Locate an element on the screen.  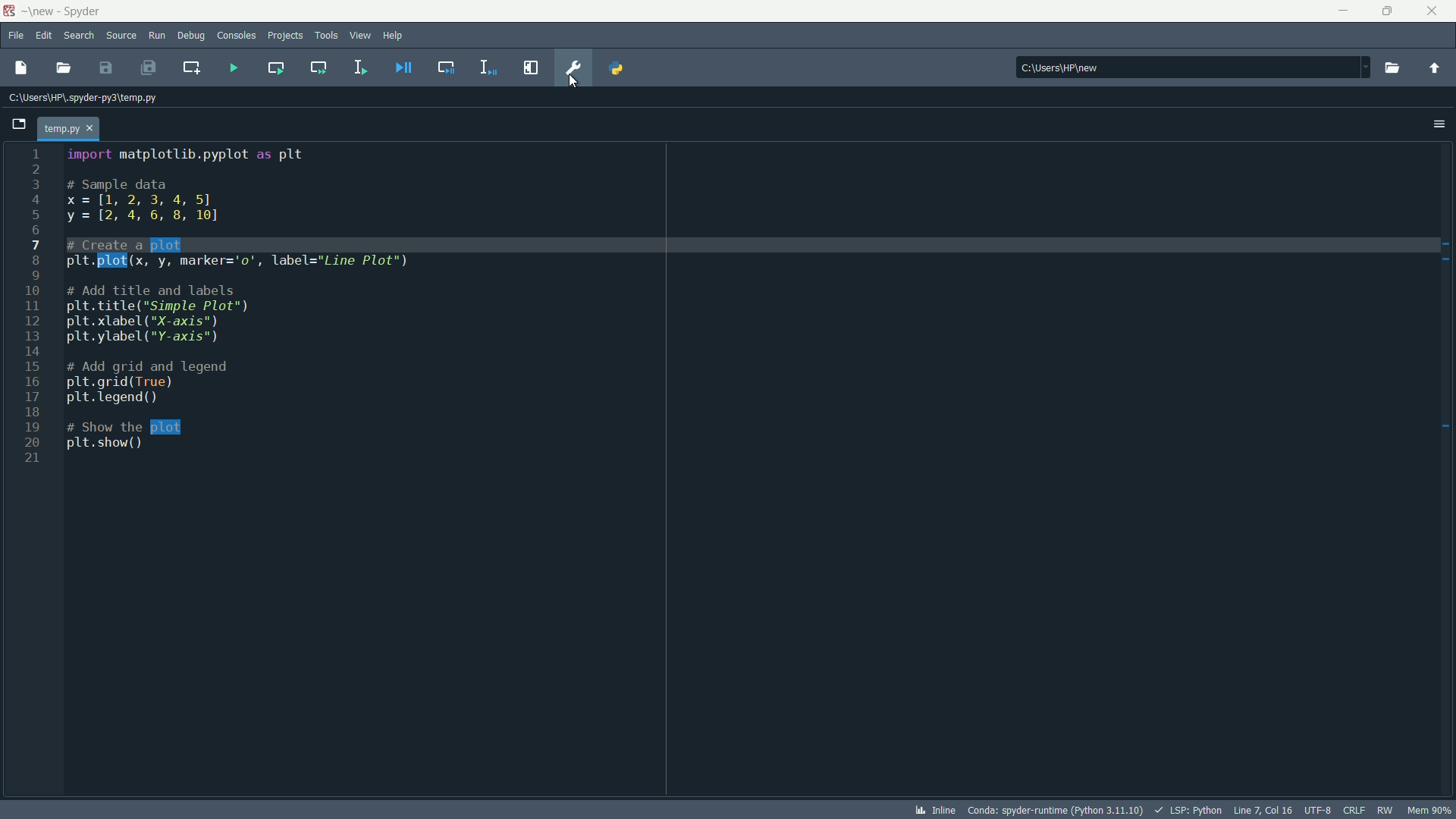
rw is located at coordinates (1386, 810).